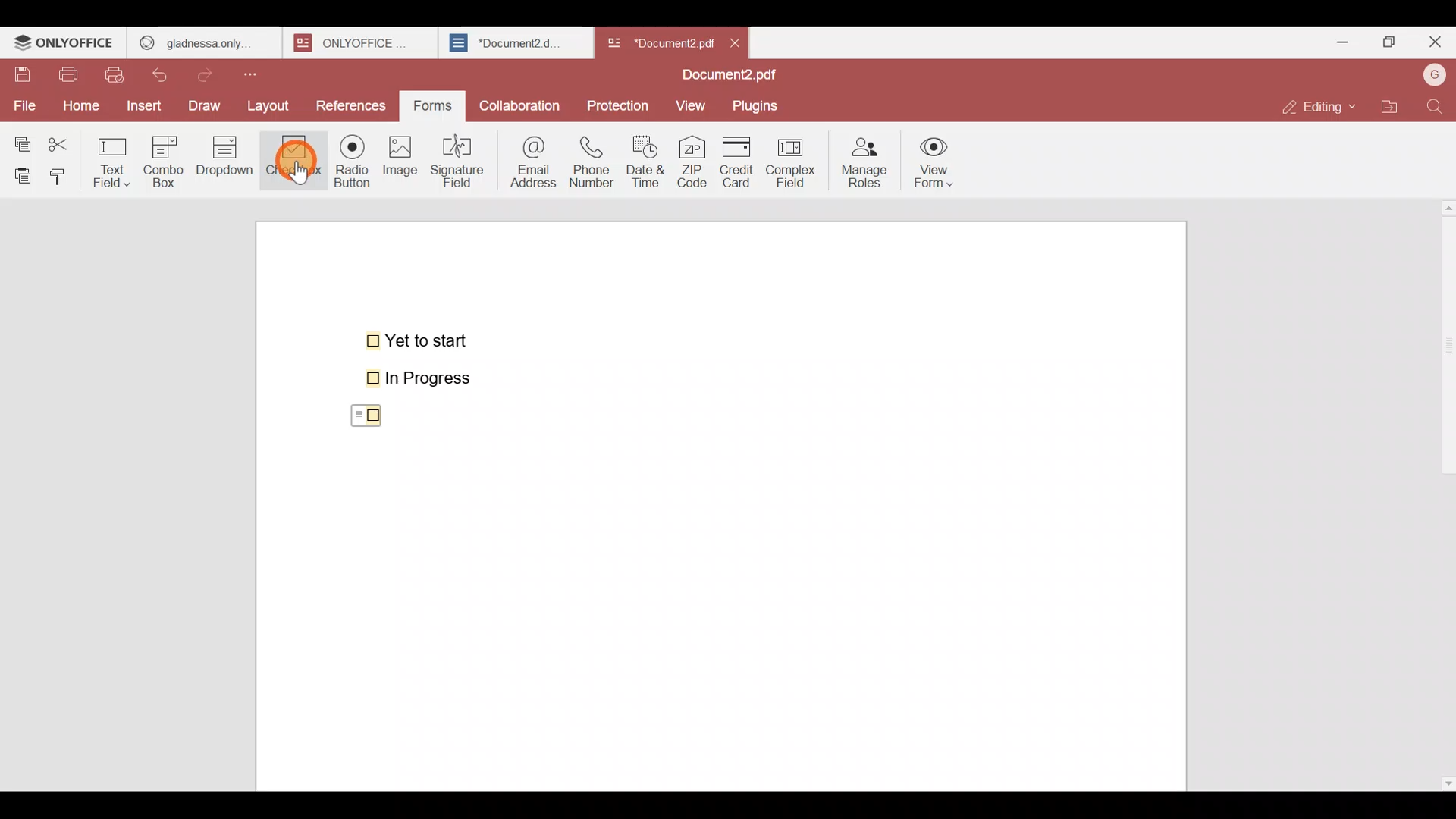 The height and width of the screenshot is (819, 1456). What do you see at coordinates (20, 140) in the screenshot?
I see `Copy` at bounding box center [20, 140].